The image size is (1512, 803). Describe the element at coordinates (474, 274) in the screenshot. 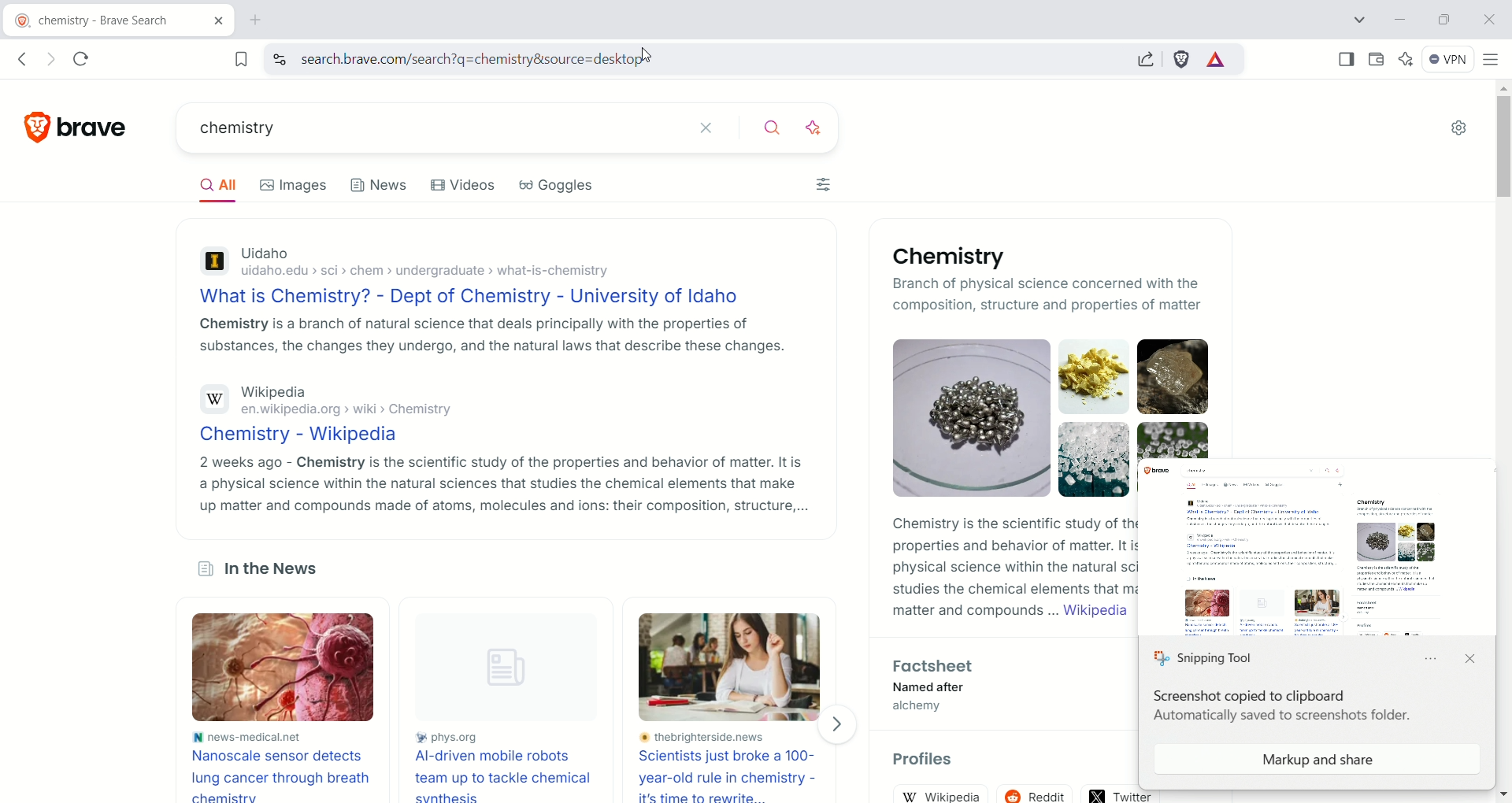

I see `Uidaho uidaho.edu › sci › chem › undergraduate › what-is-chemistry What is Chemistry? - Dept of Chemistry - University of Idaho` at that location.